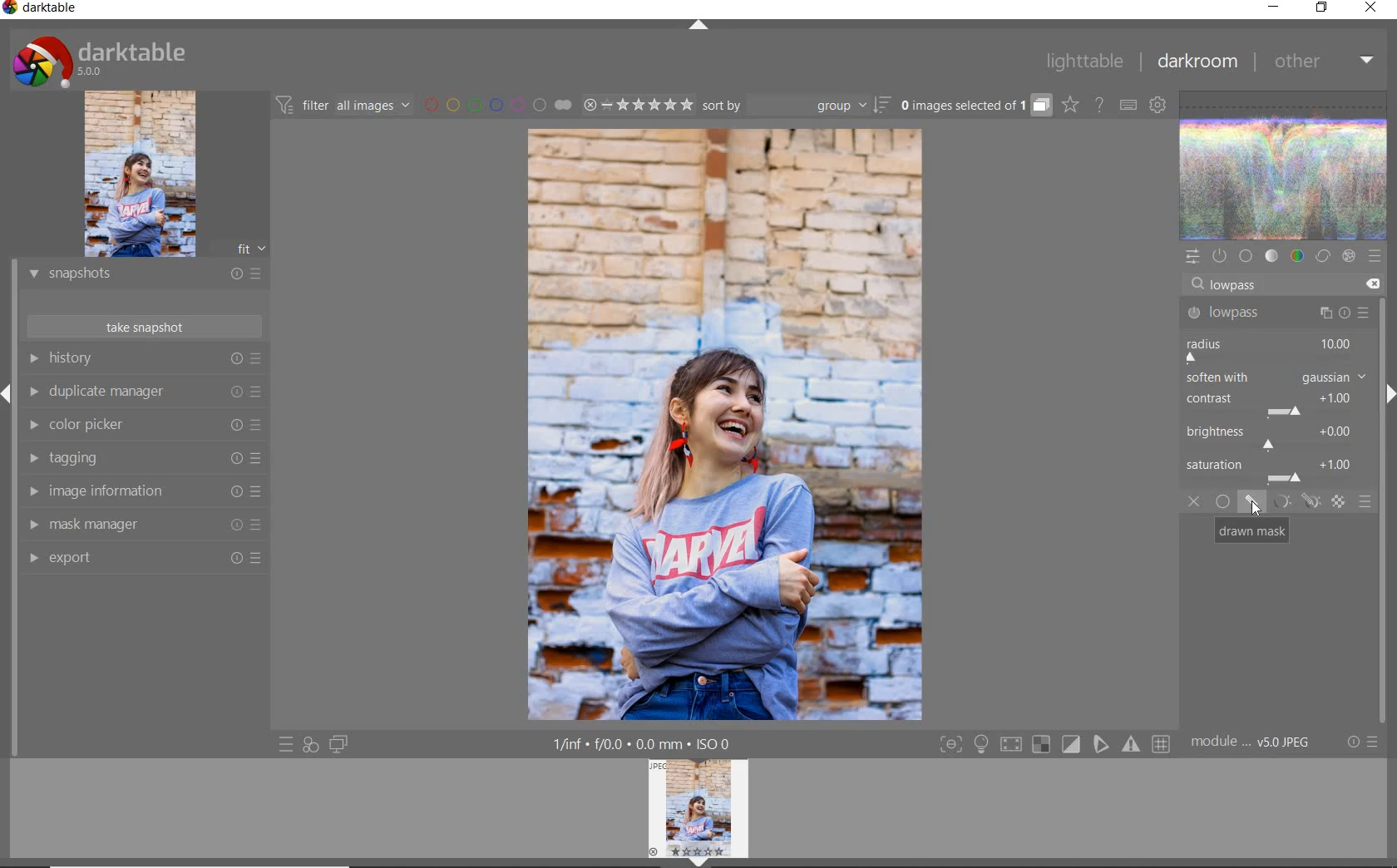  I want to click on color, so click(1296, 257).